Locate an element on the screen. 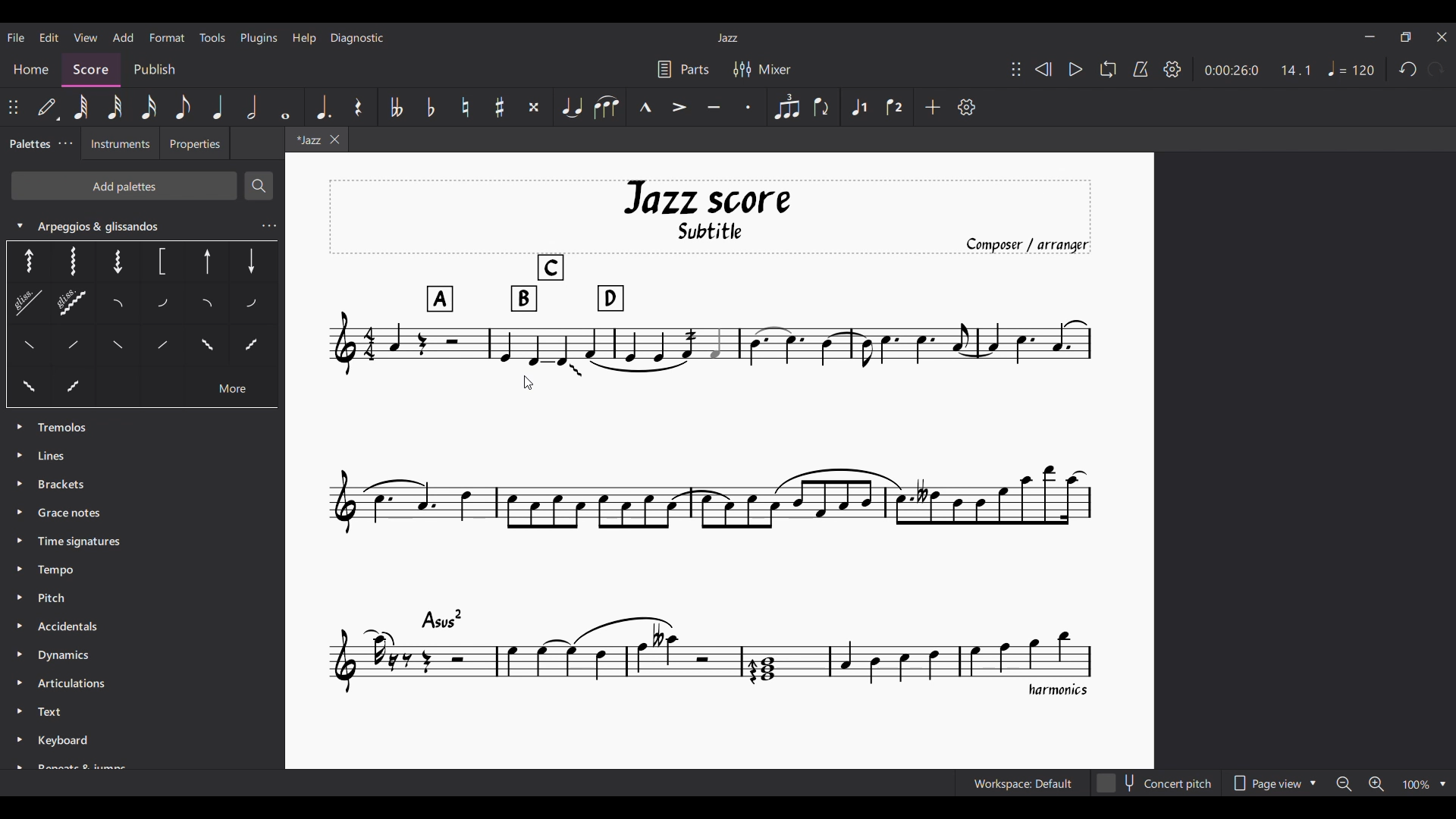 Image resolution: width=1456 pixels, height=819 pixels. Close tab is located at coordinates (334, 140).